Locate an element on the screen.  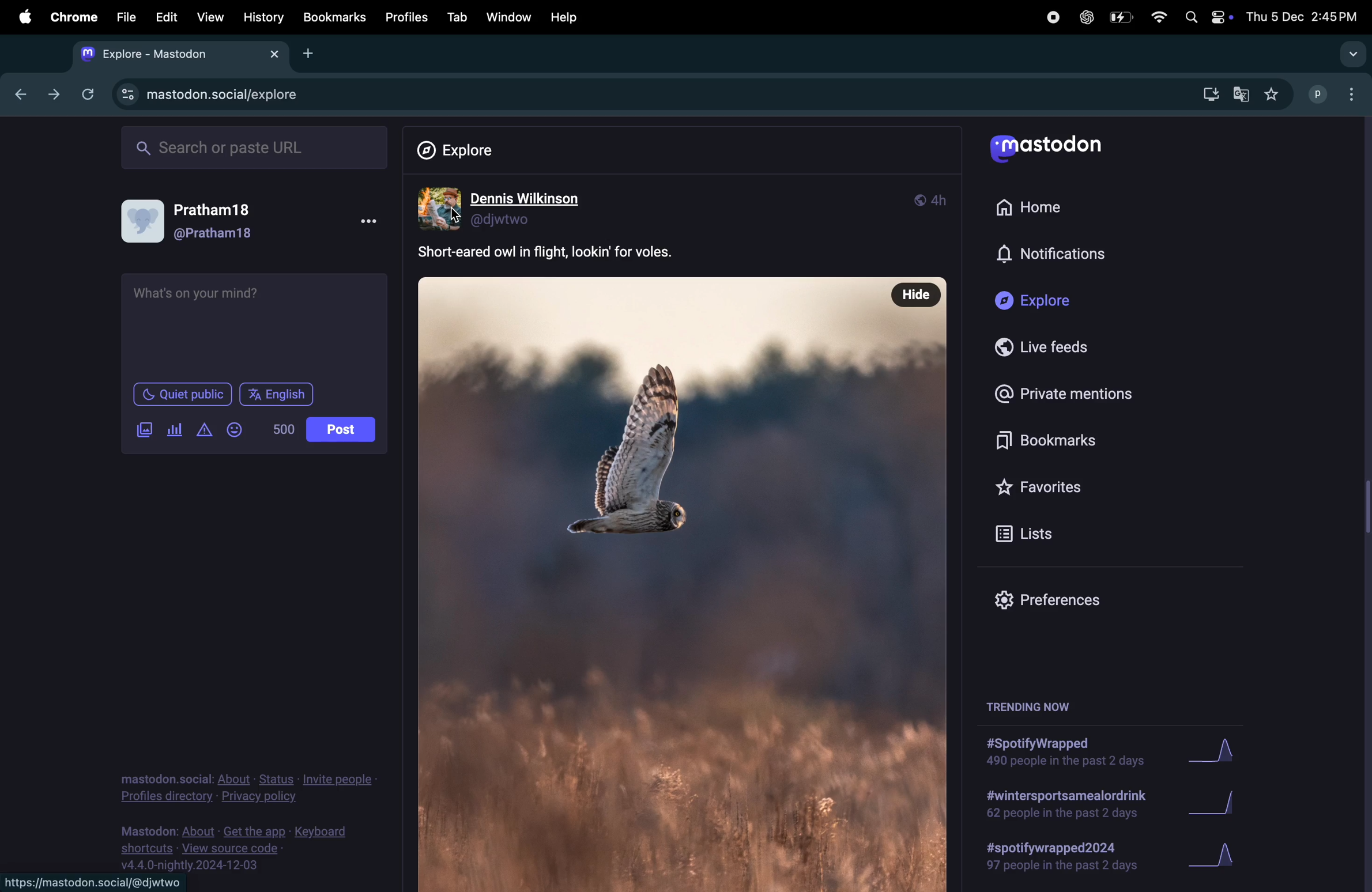
explore mastodon is located at coordinates (176, 55).